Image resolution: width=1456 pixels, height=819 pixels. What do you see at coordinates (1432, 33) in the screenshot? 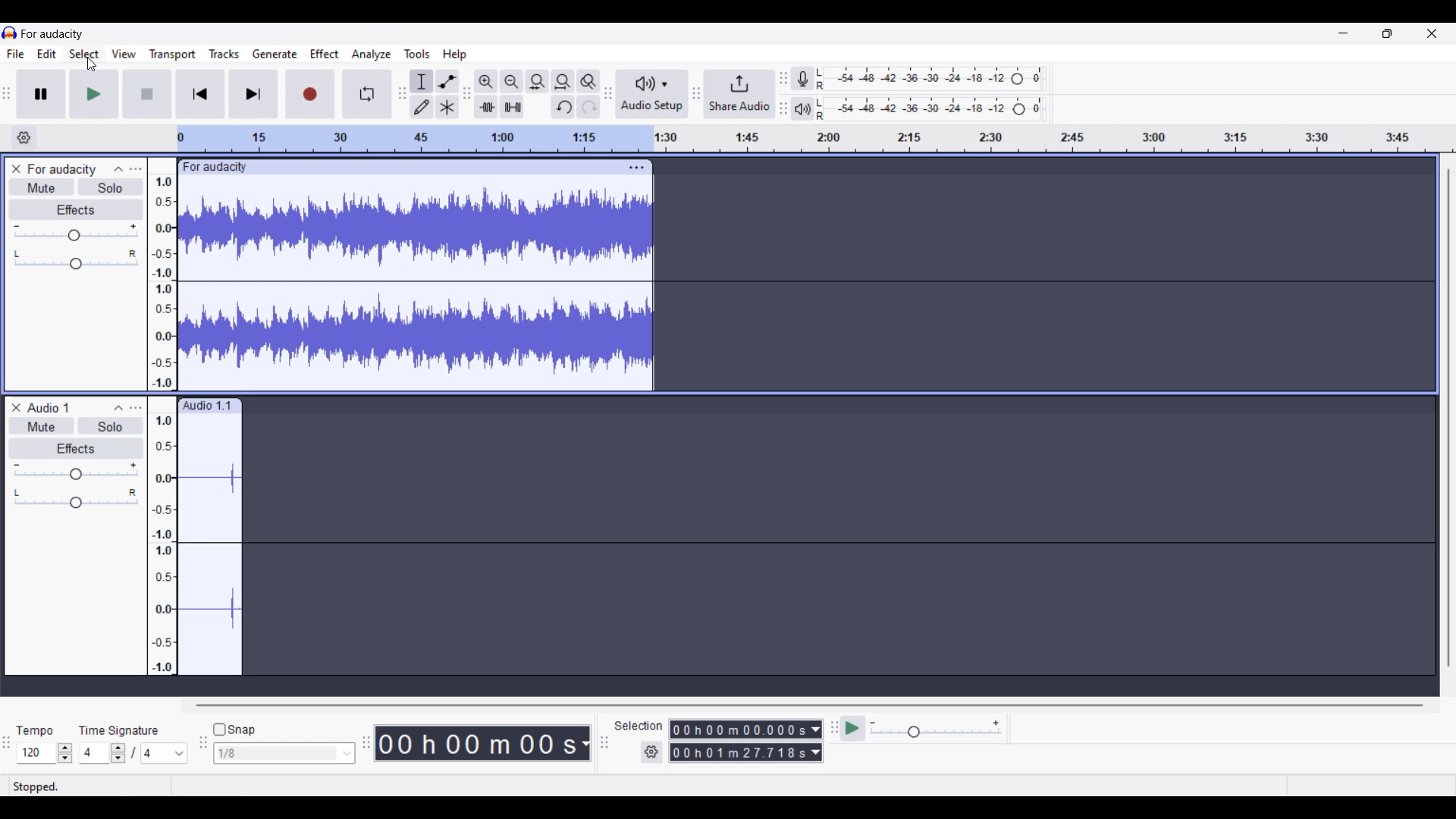
I see `Close interface` at bounding box center [1432, 33].